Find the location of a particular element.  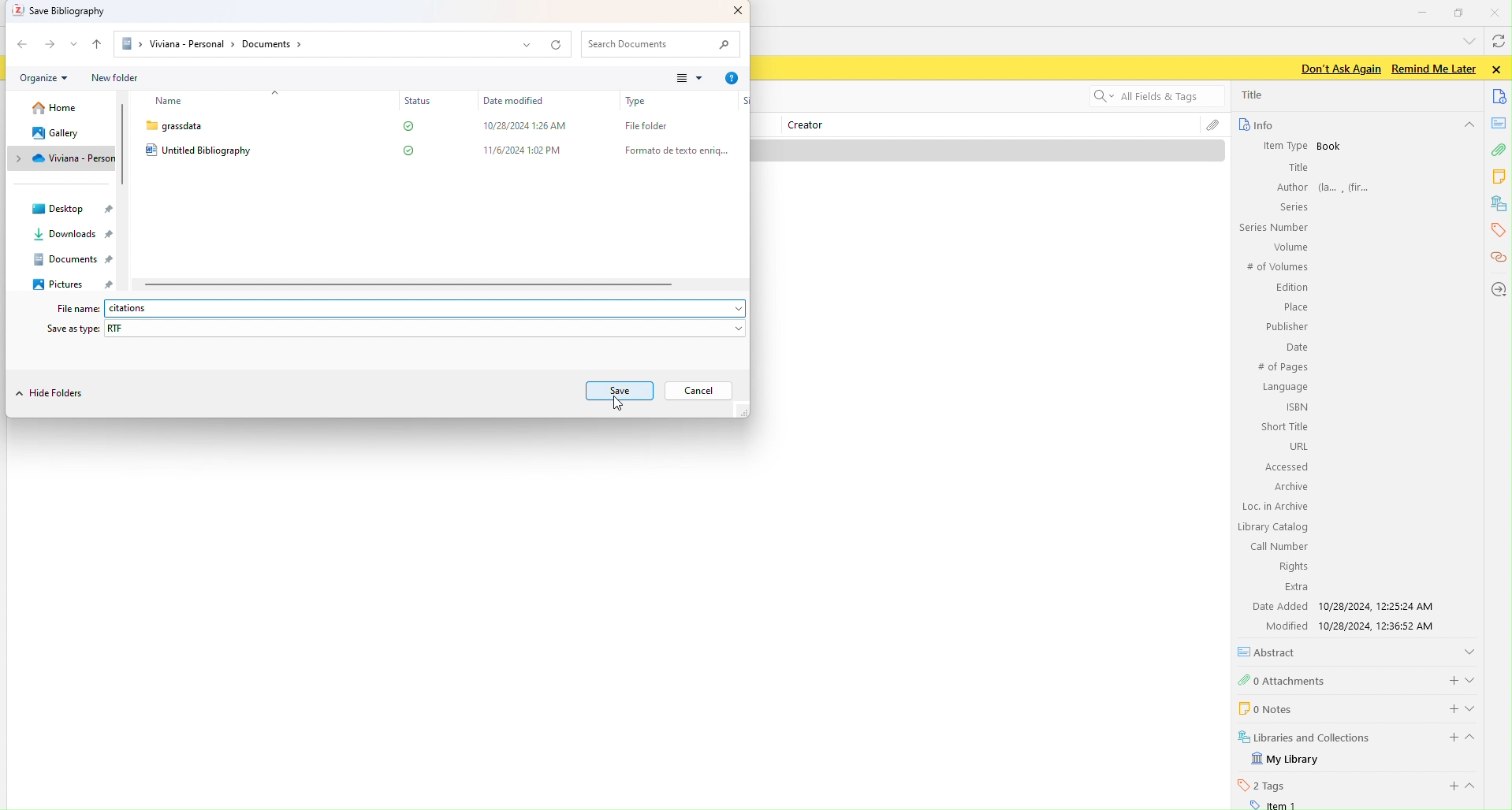

Refresh is located at coordinates (558, 44).